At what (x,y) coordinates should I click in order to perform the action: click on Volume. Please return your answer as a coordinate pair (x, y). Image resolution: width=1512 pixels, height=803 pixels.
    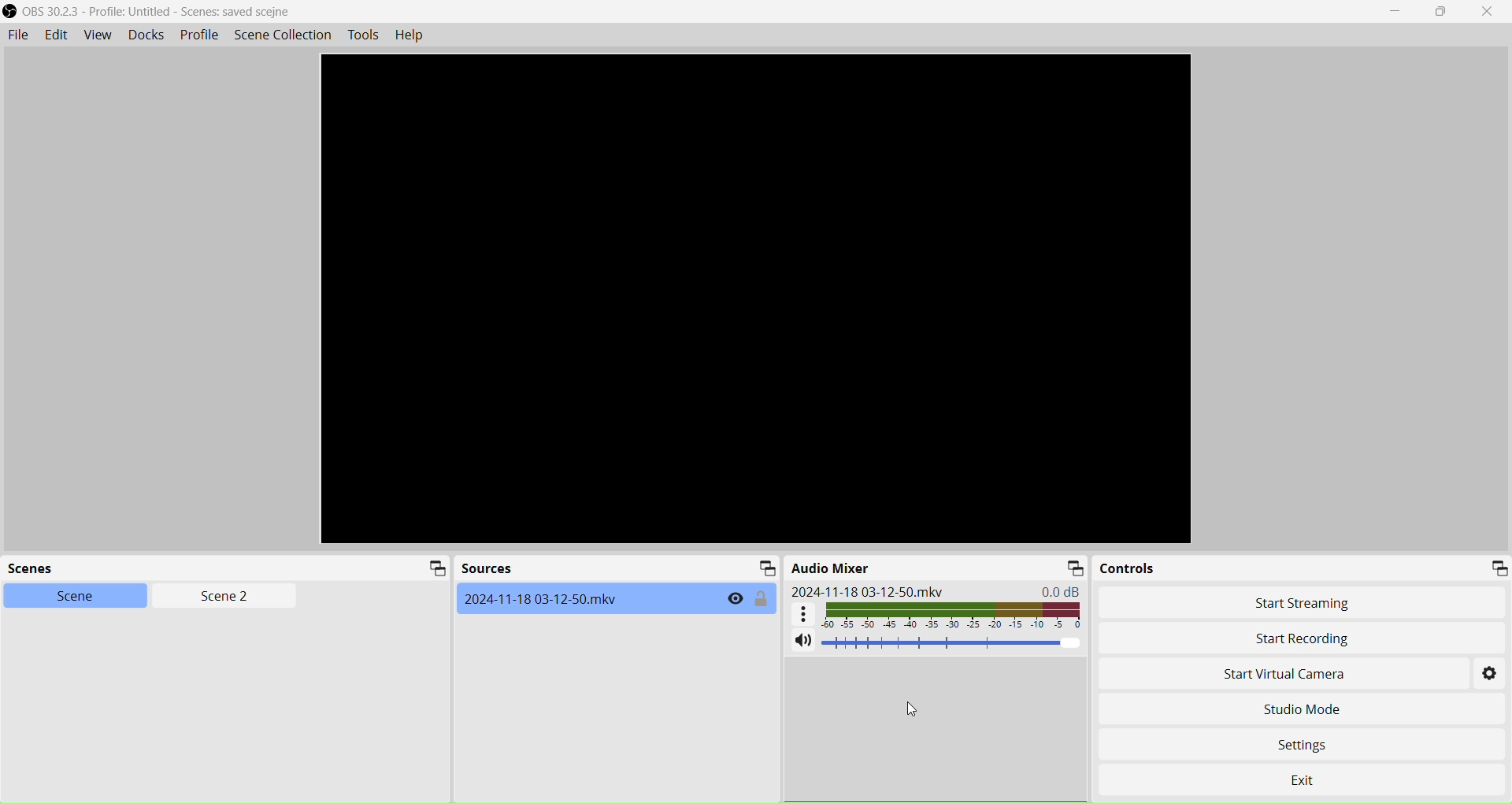
    Looking at the image, I should click on (953, 643).